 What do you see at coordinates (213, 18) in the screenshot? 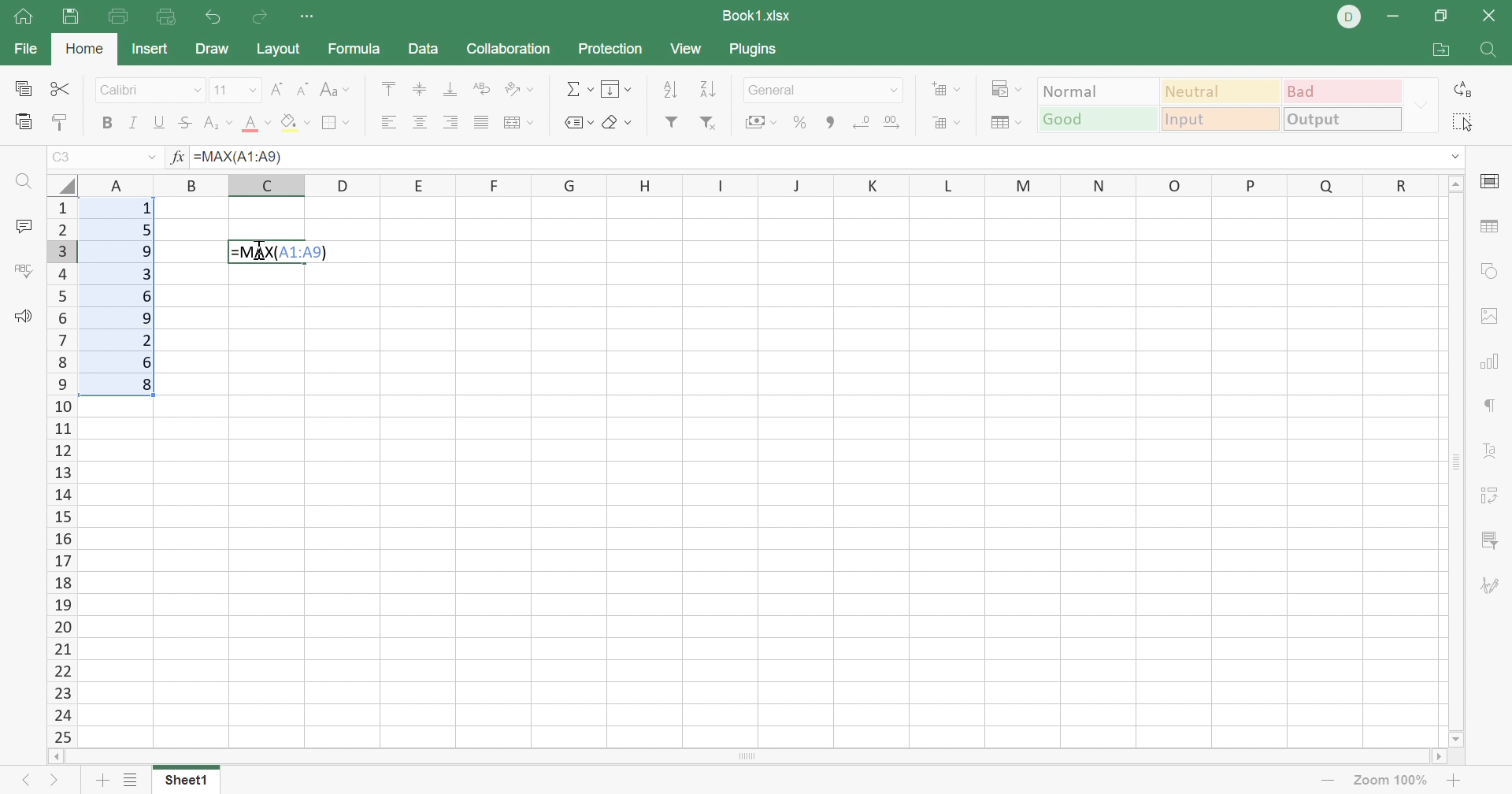
I see `Undo` at bounding box center [213, 18].